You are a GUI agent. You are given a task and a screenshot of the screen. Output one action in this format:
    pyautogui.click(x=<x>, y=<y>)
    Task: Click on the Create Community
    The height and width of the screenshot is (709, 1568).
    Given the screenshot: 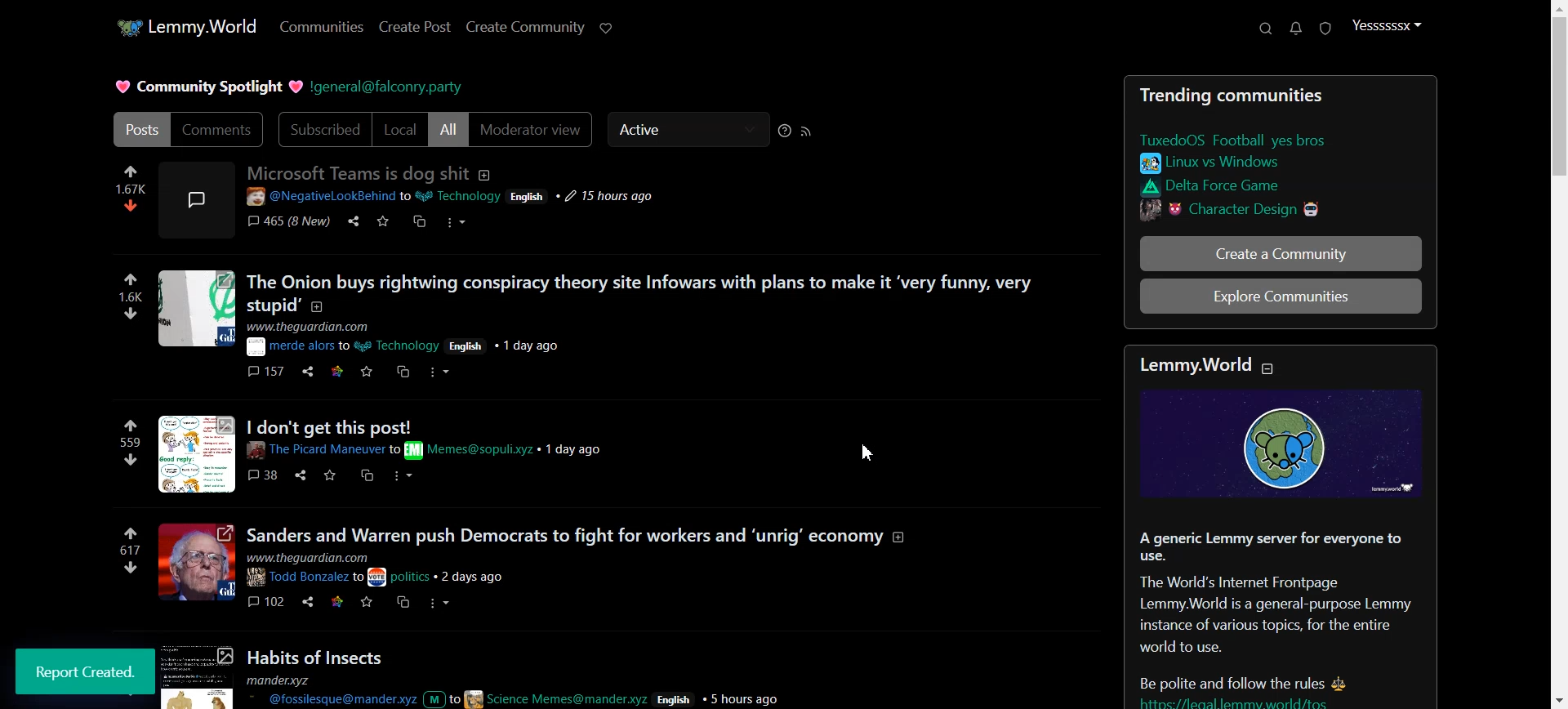 What is the action you would take?
    pyautogui.click(x=525, y=27)
    